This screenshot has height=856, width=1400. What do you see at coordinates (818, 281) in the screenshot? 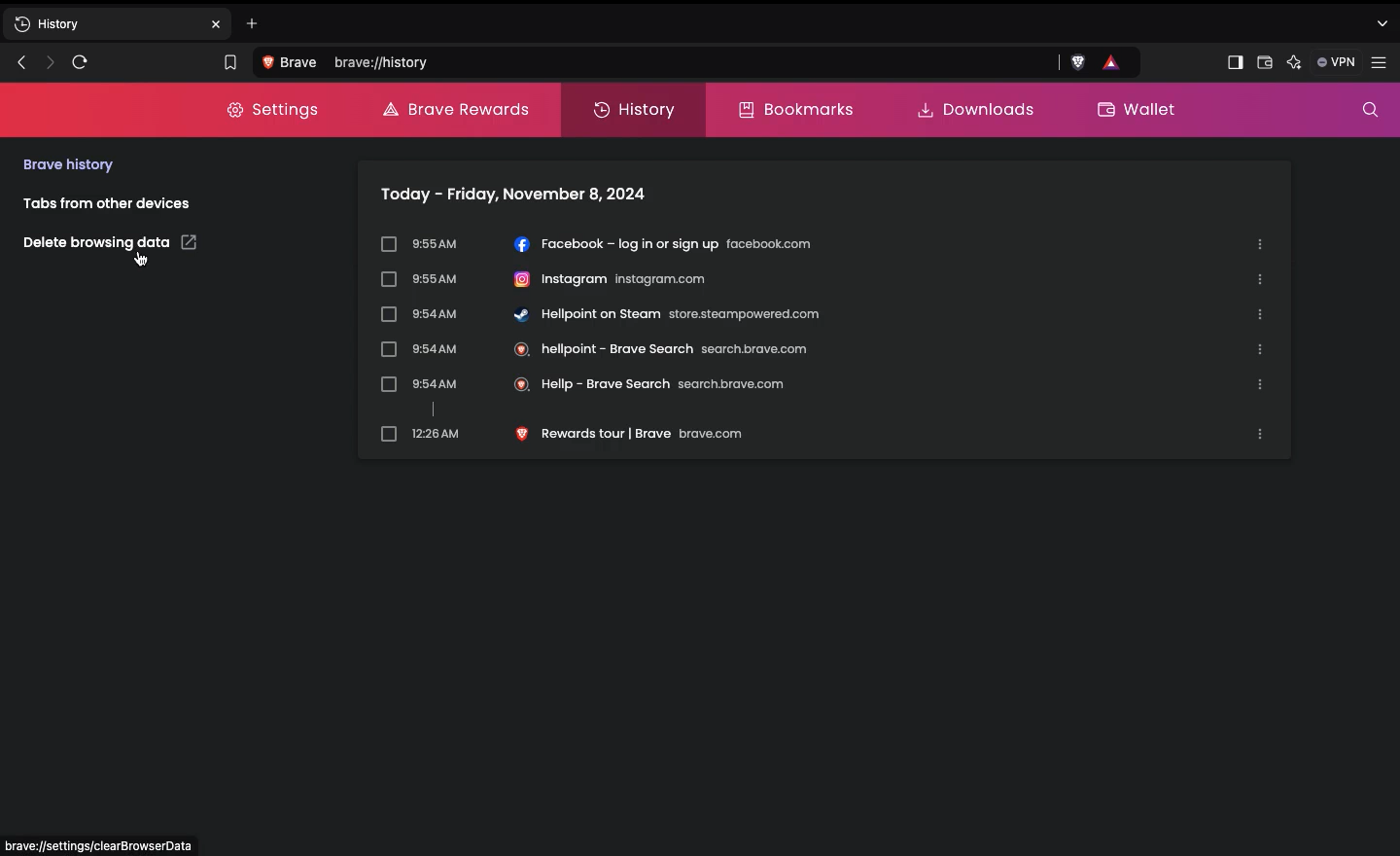
I see `Instagram instagram.com` at bounding box center [818, 281].